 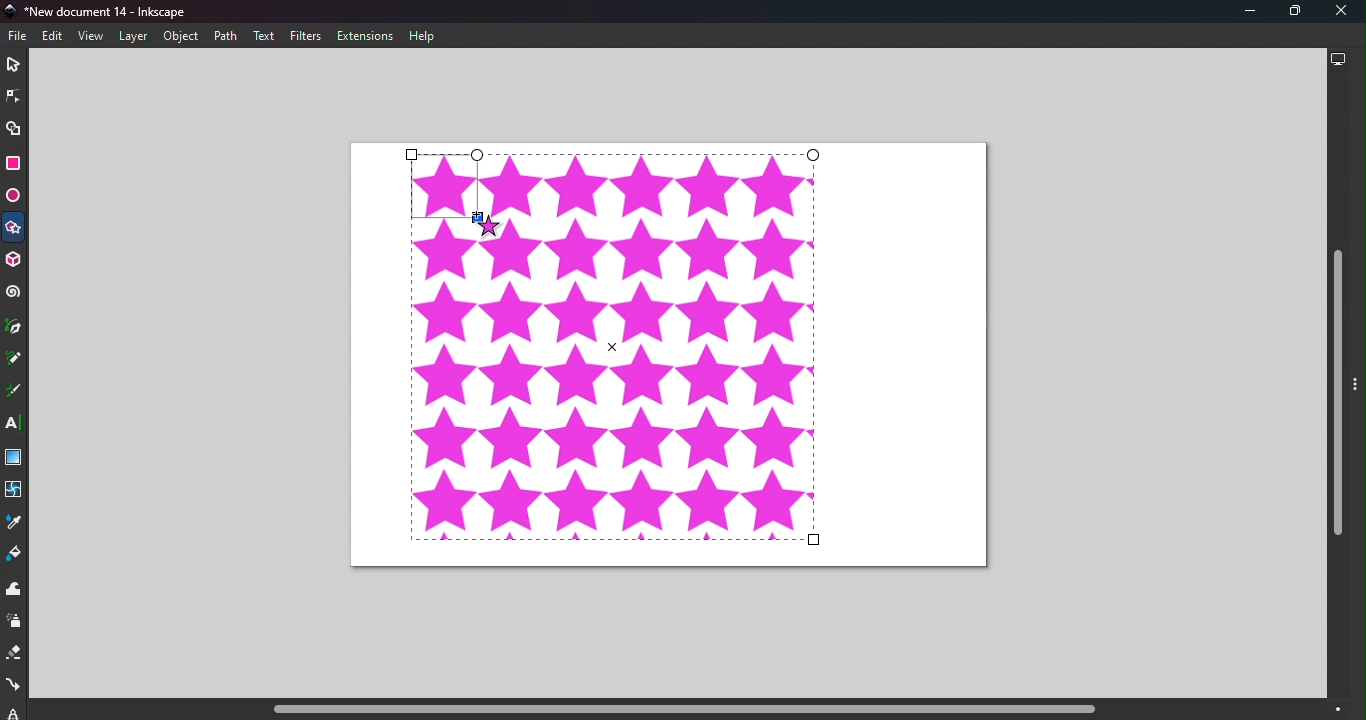 What do you see at coordinates (1241, 12) in the screenshot?
I see `Minimize ` at bounding box center [1241, 12].